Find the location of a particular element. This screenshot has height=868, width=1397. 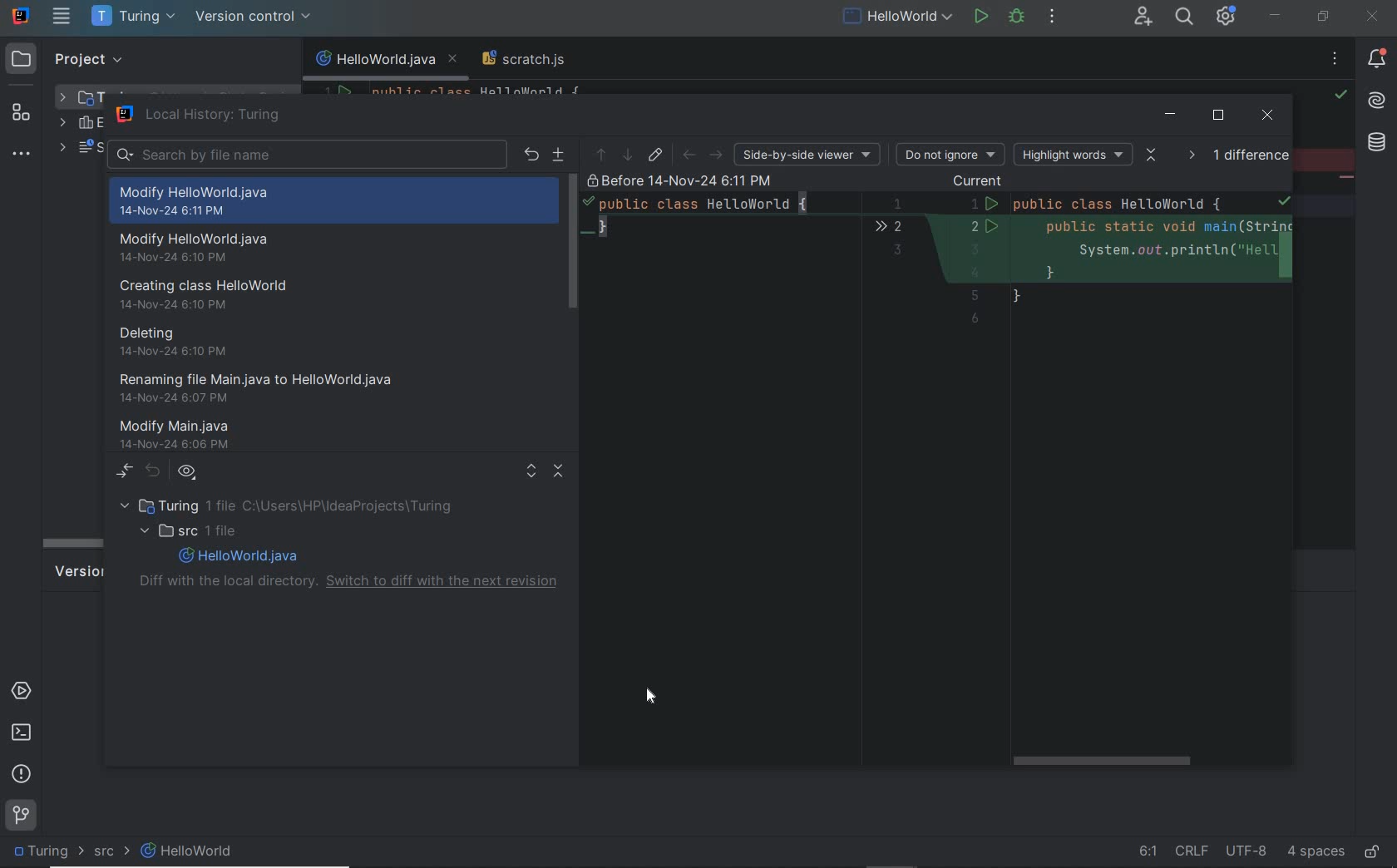

restore down is located at coordinates (1324, 15).